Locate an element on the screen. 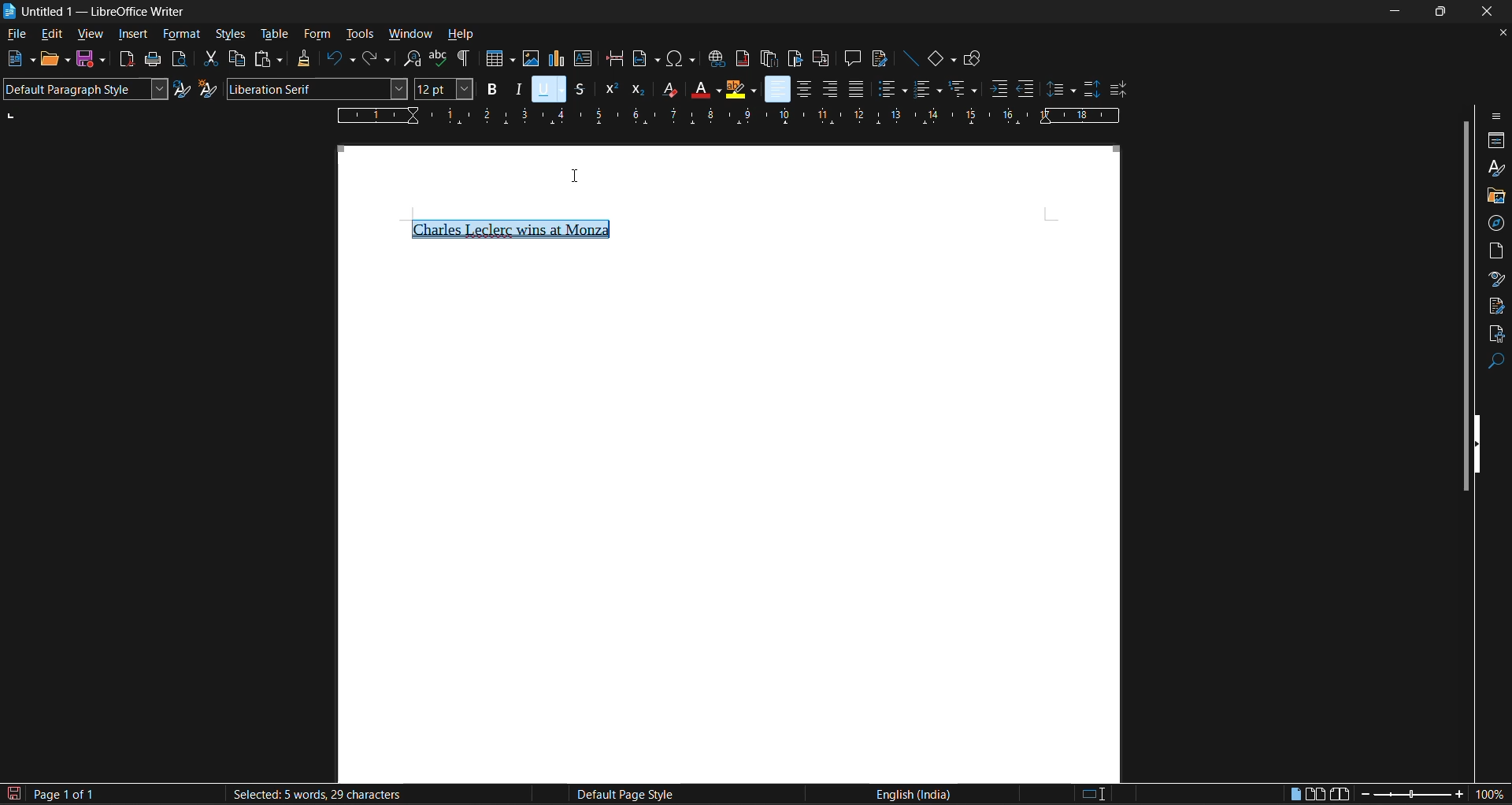 This screenshot has height=805, width=1512. close is located at coordinates (1488, 12).